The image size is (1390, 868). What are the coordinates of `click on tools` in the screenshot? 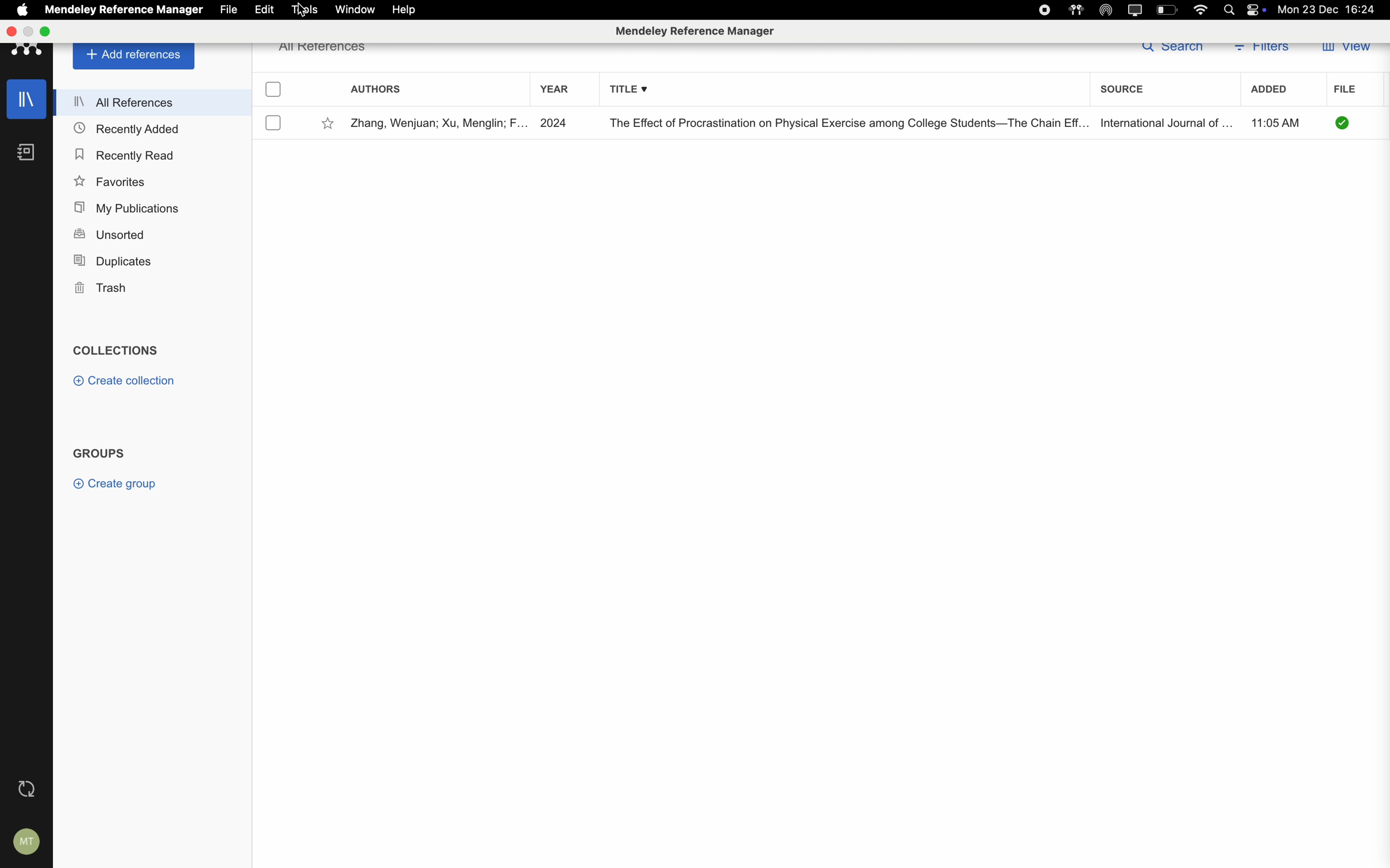 It's located at (306, 9).